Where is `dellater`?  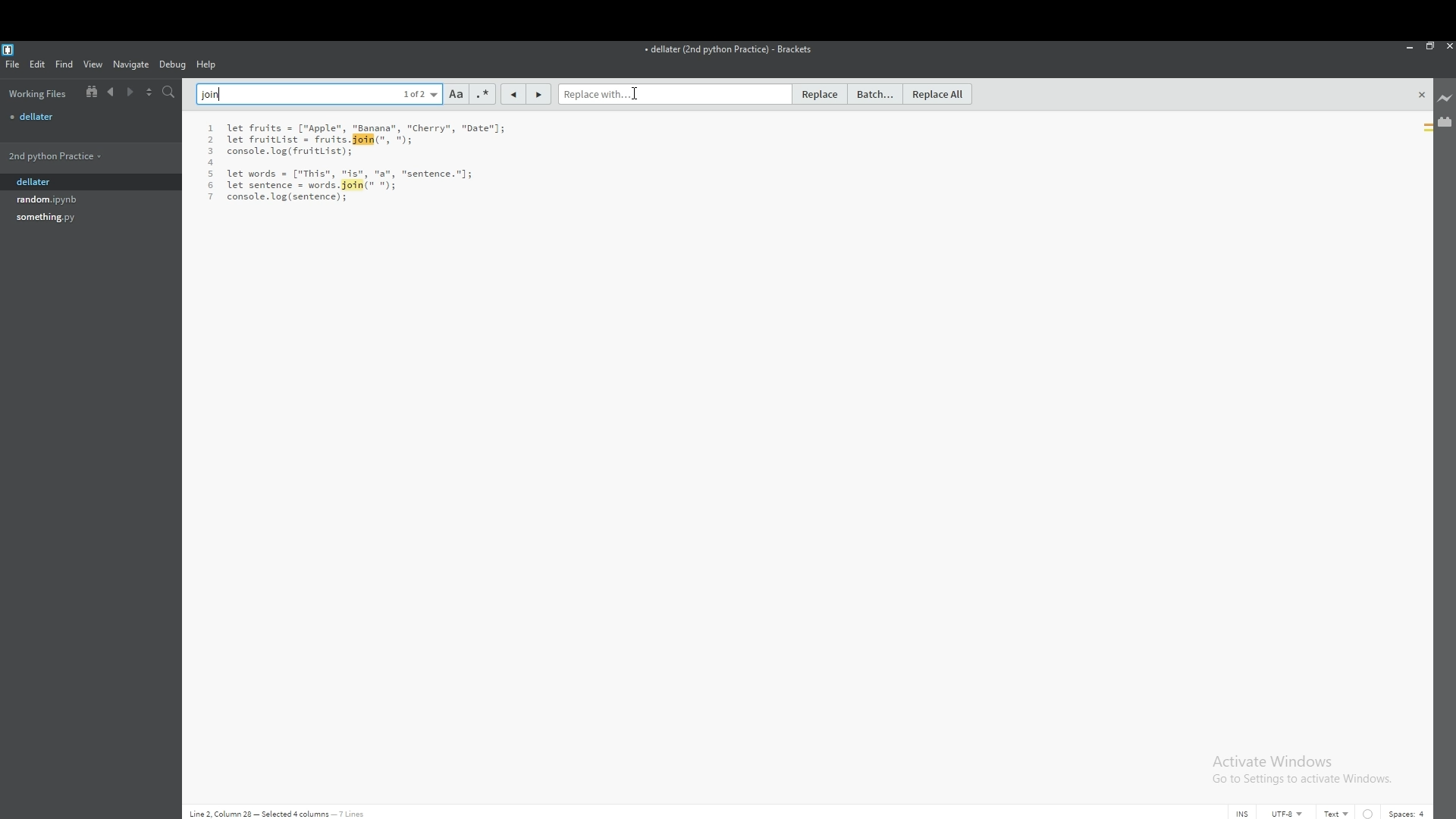 dellater is located at coordinates (71, 183).